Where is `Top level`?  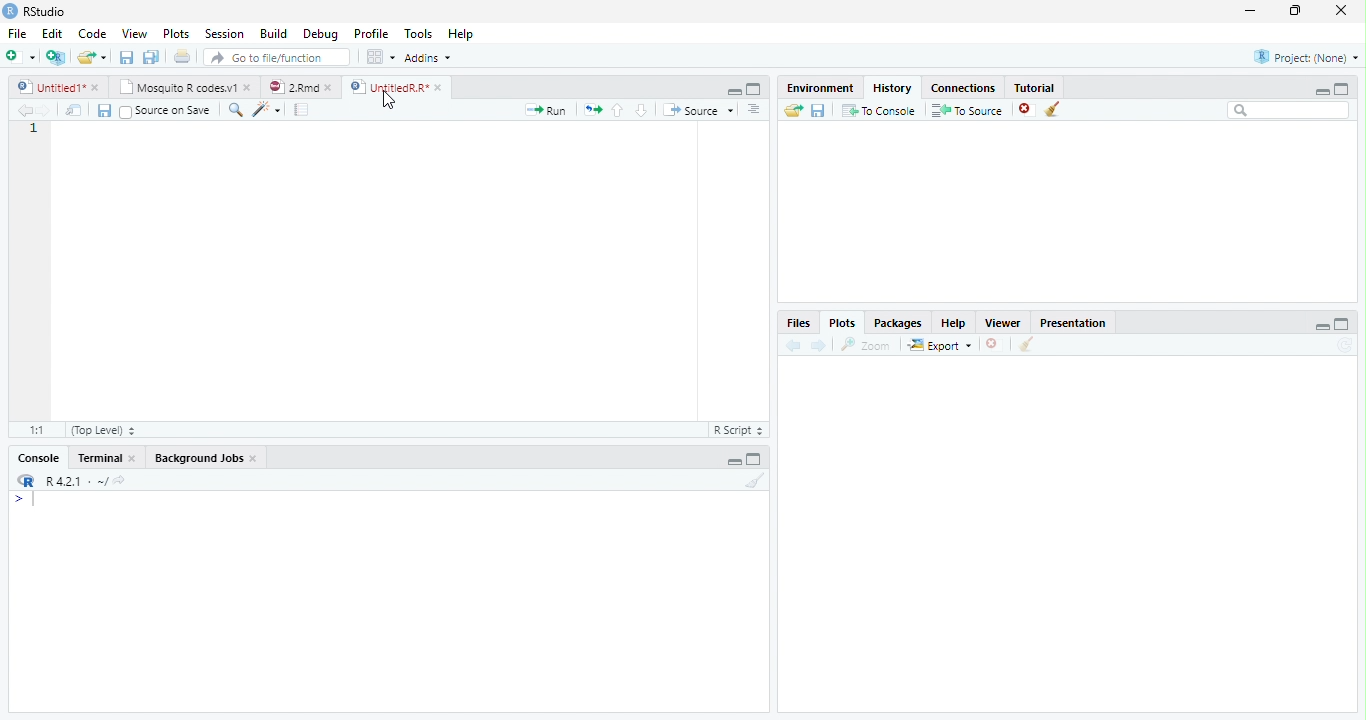
Top level is located at coordinates (104, 431).